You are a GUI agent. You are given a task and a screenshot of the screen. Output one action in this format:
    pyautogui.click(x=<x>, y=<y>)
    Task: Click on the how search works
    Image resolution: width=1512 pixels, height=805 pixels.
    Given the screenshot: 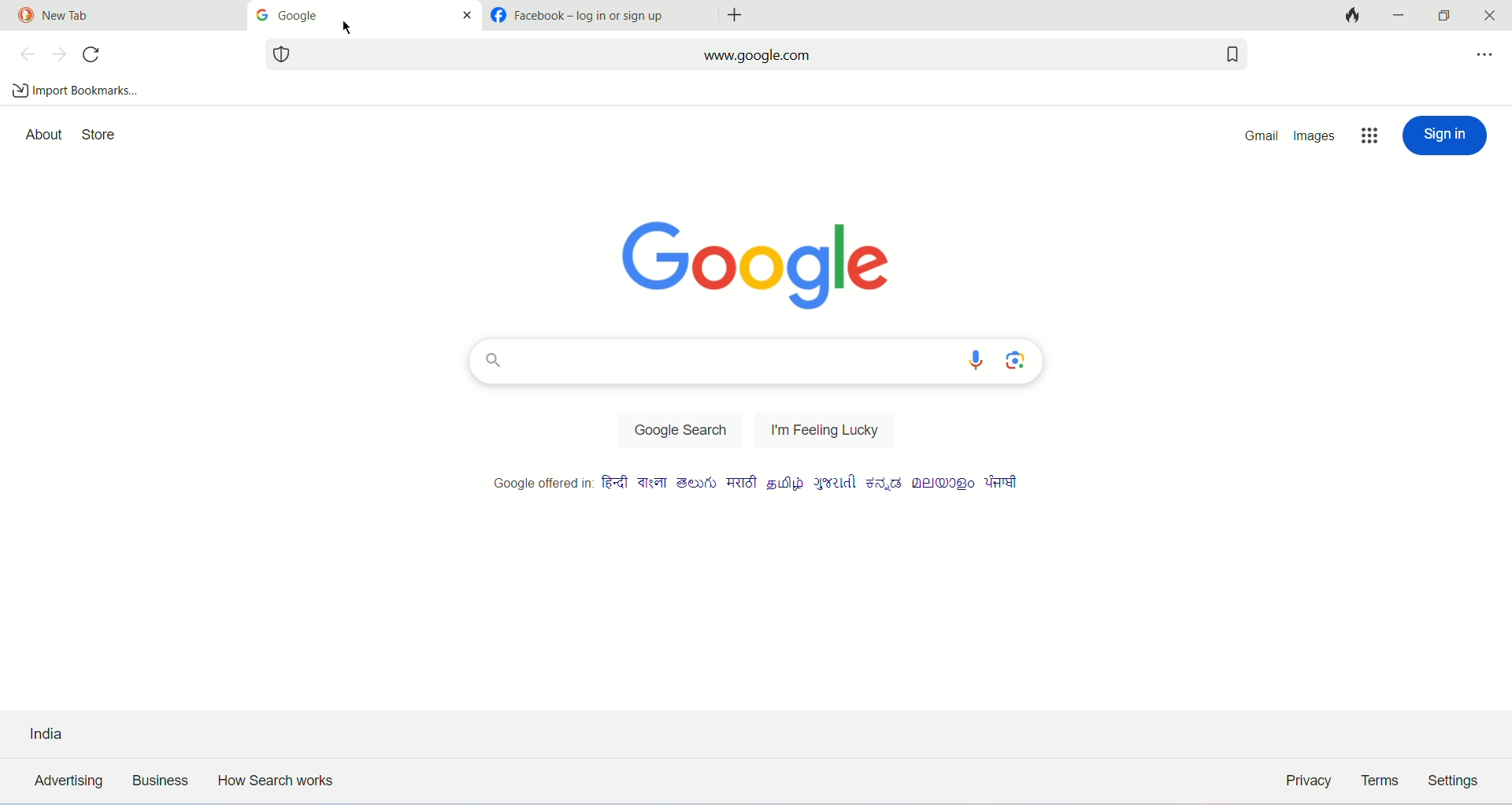 What is the action you would take?
    pyautogui.click(x=278, y=782)
    